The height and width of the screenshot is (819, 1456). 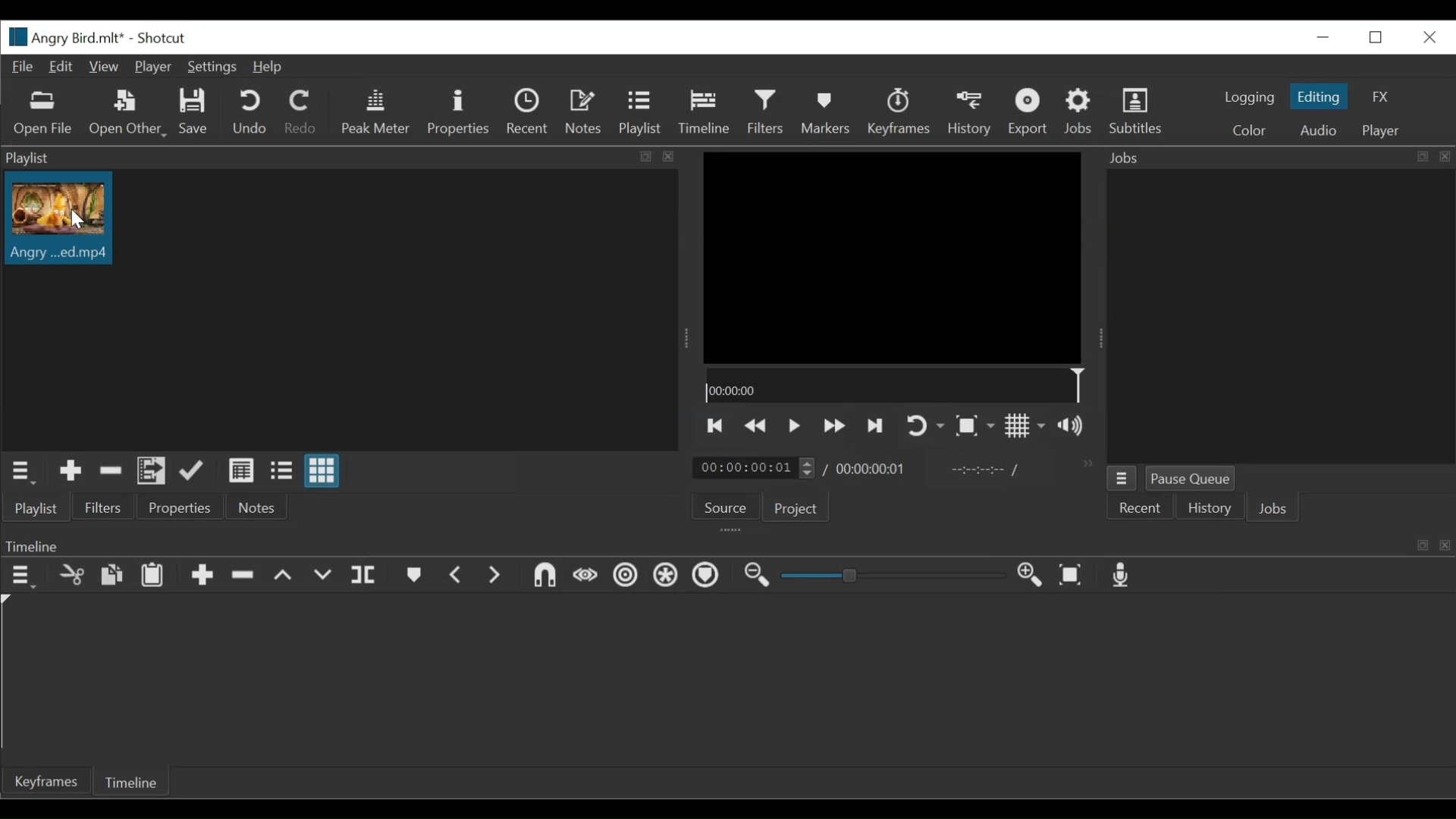 What do you see at coordinates (61, 218) in the screenshot?
I see `Clip` at bounding box center [61, 218].